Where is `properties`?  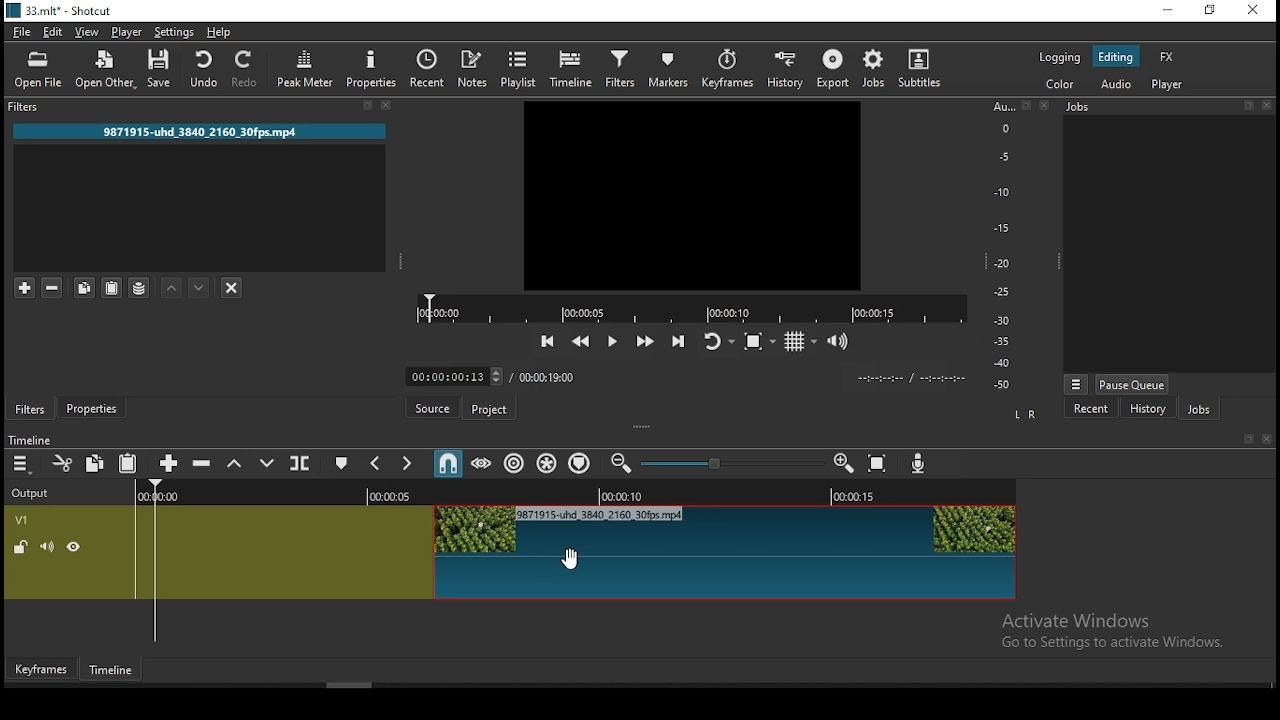 properties is located at coordinates (373, 70).